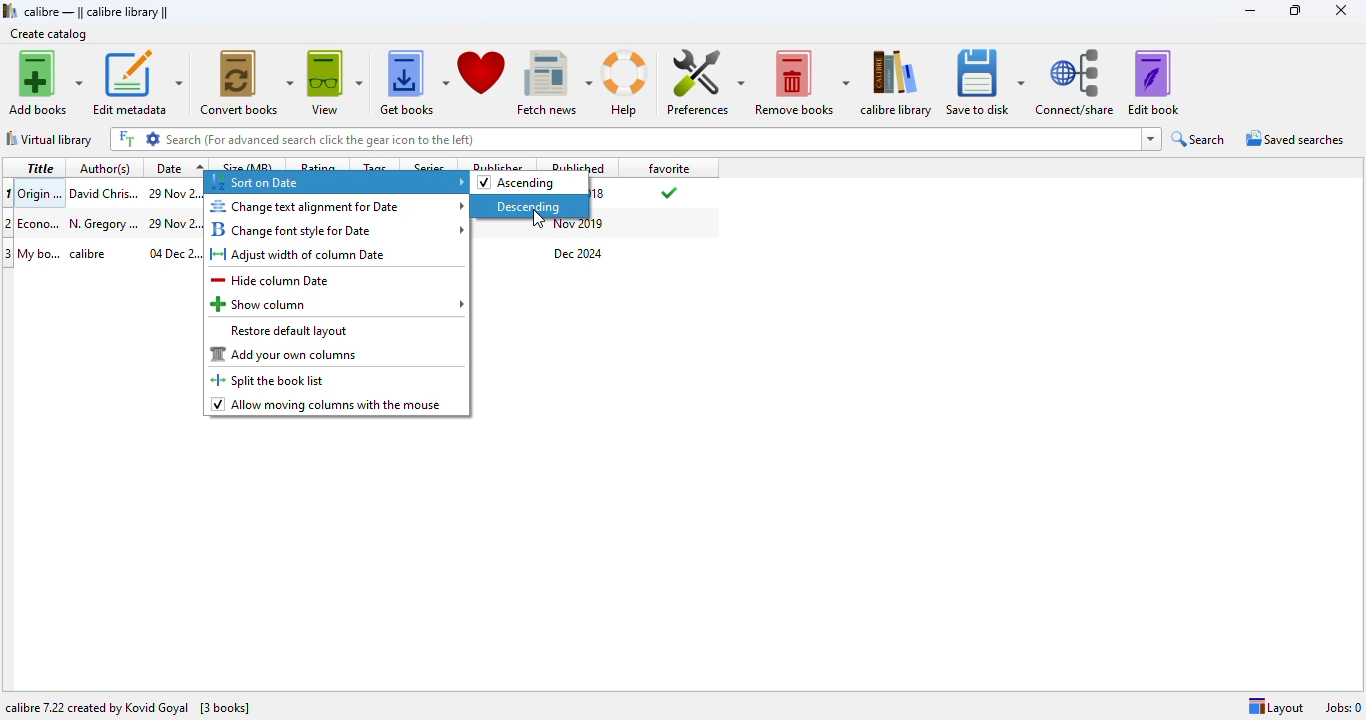 The image size is (1366, 720). What do you see at coordinates (103, 223) in the screenshot?
I see `author` at bounding box center [103, 223].